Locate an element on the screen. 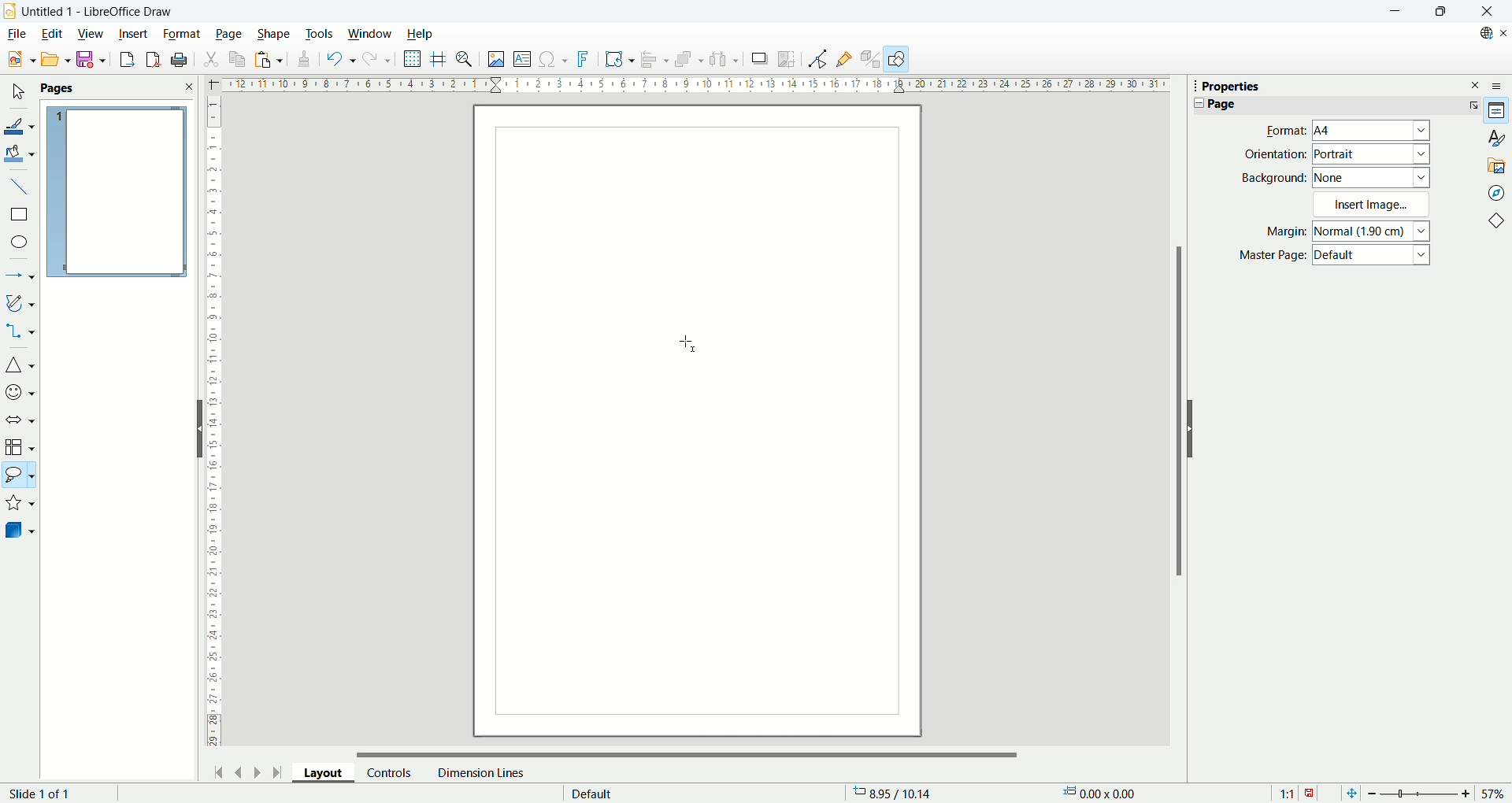 The width and height of the screenshot is (1512, 803). scaling factor is located at coordinates (1296, 792).